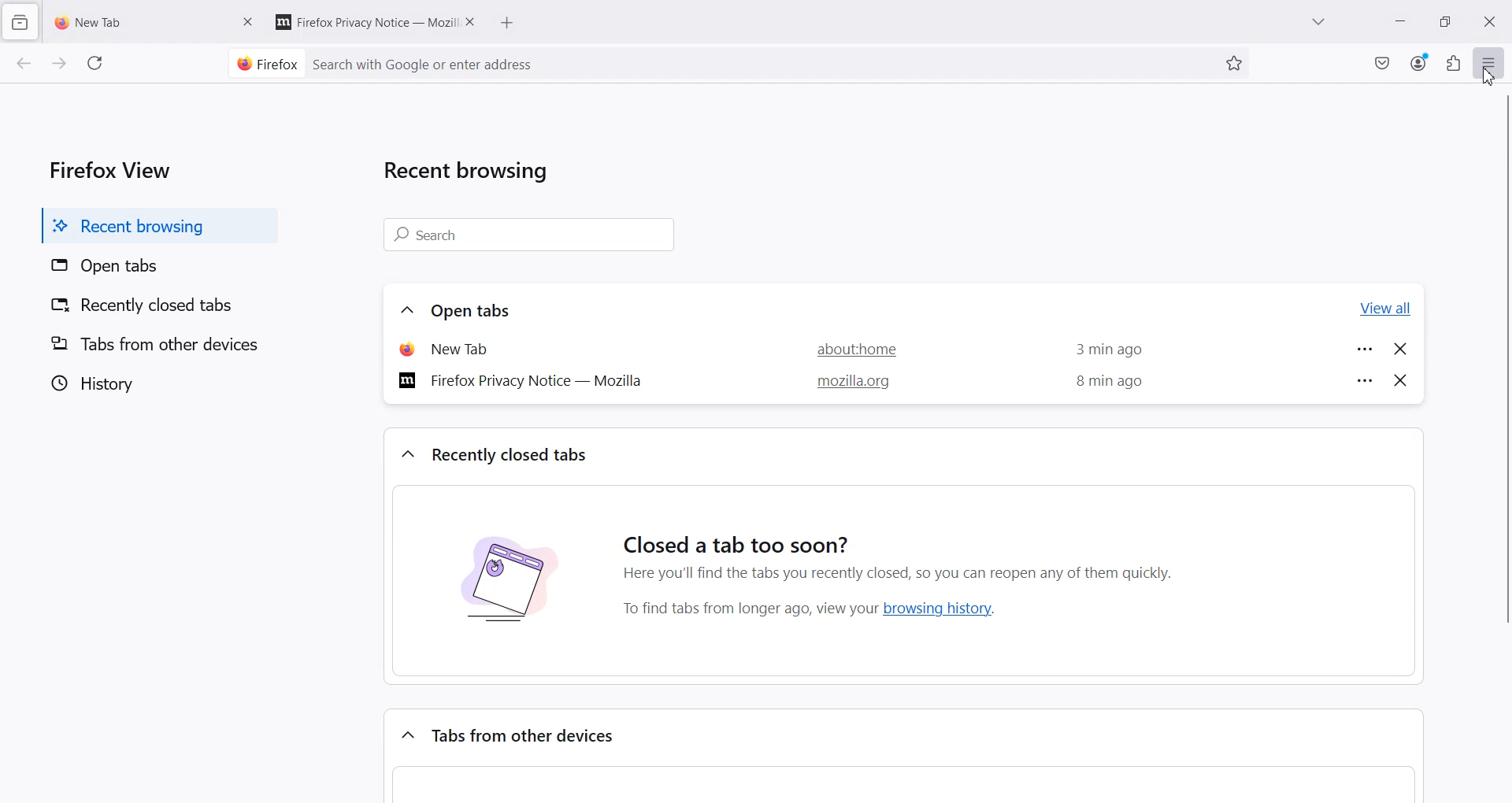 The height and width of the screenshot is (803, 1512). Describe the element at coordinates (249, 20) in the screenshot. I see `Close Tab` at that location.